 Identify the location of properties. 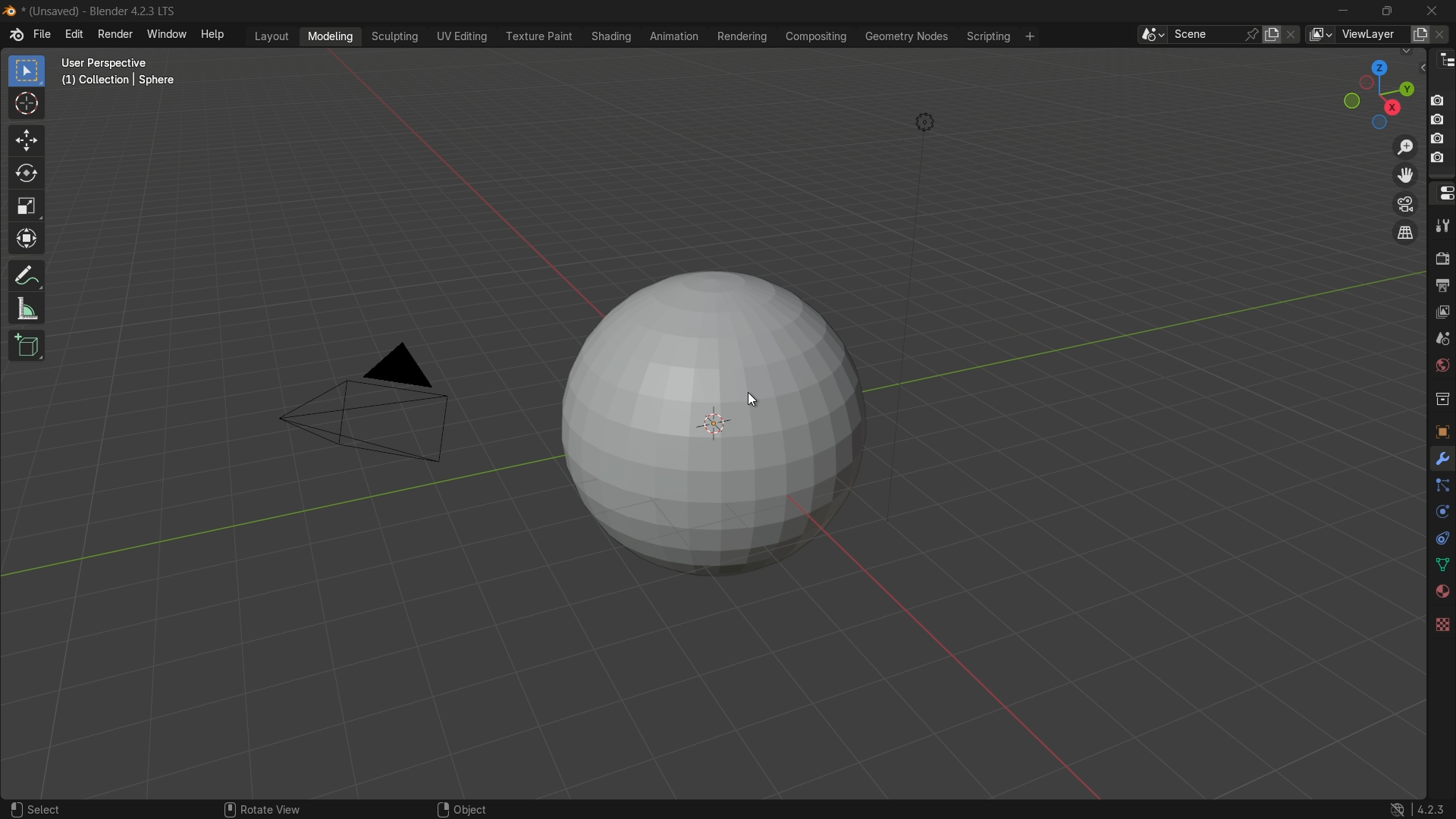
(1442, 194).